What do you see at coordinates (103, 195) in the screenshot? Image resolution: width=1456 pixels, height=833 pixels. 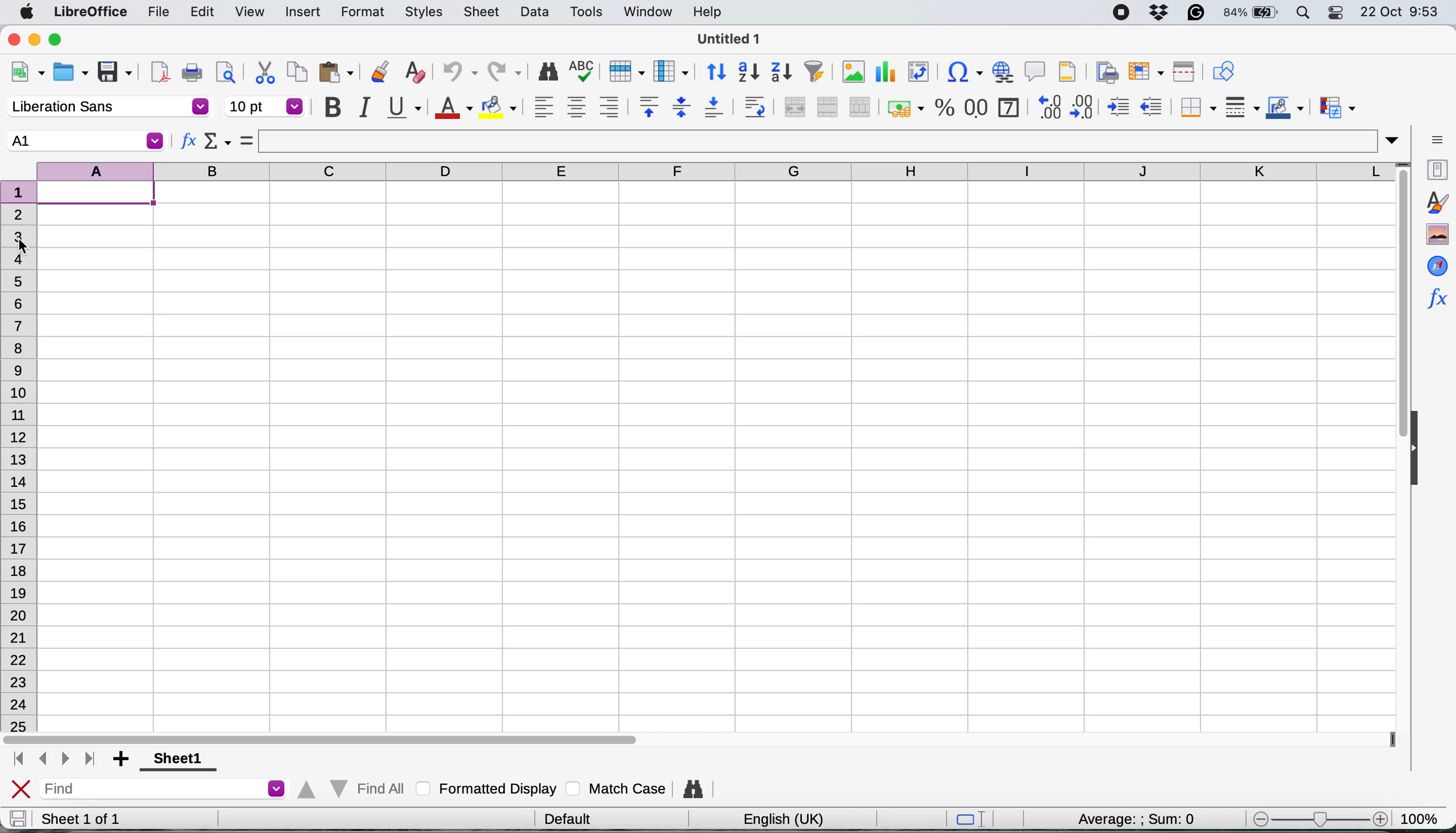 I see `selected cell` at bounding box center [103, 195].